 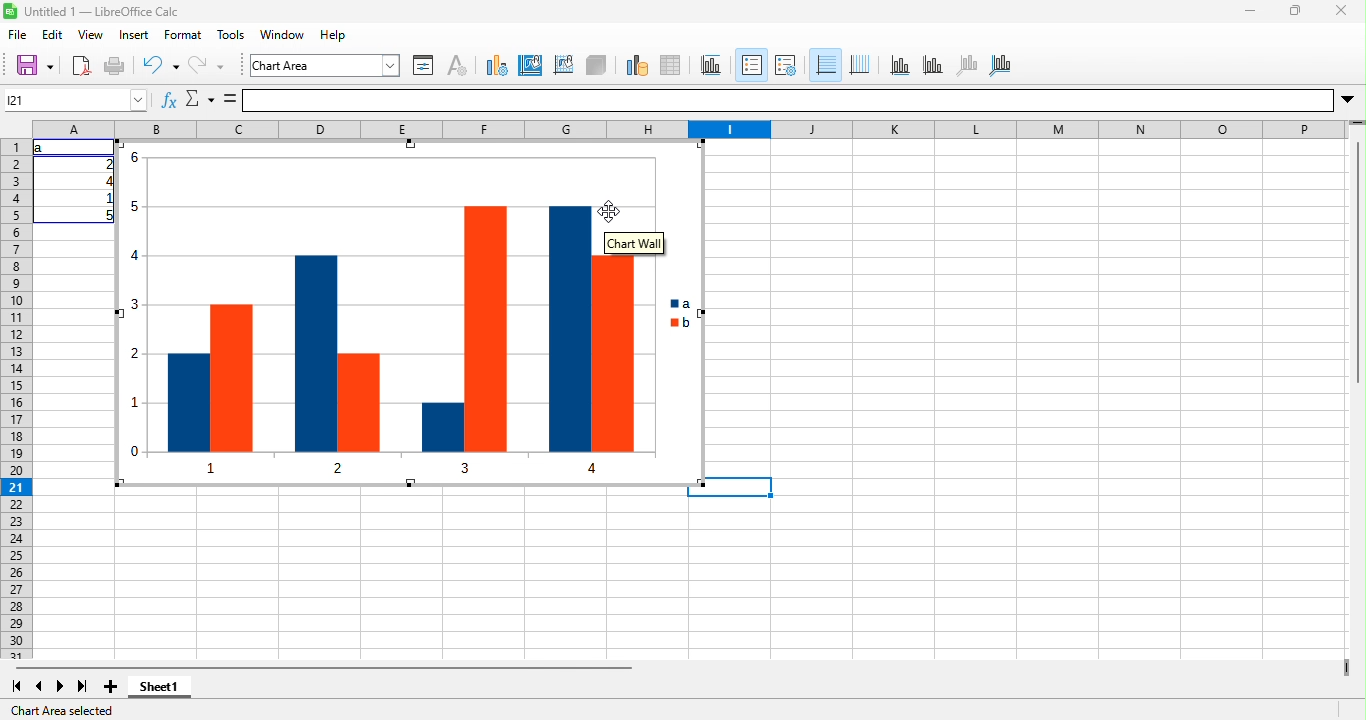 I want to click on Software logo, so click(x=10, y=11).